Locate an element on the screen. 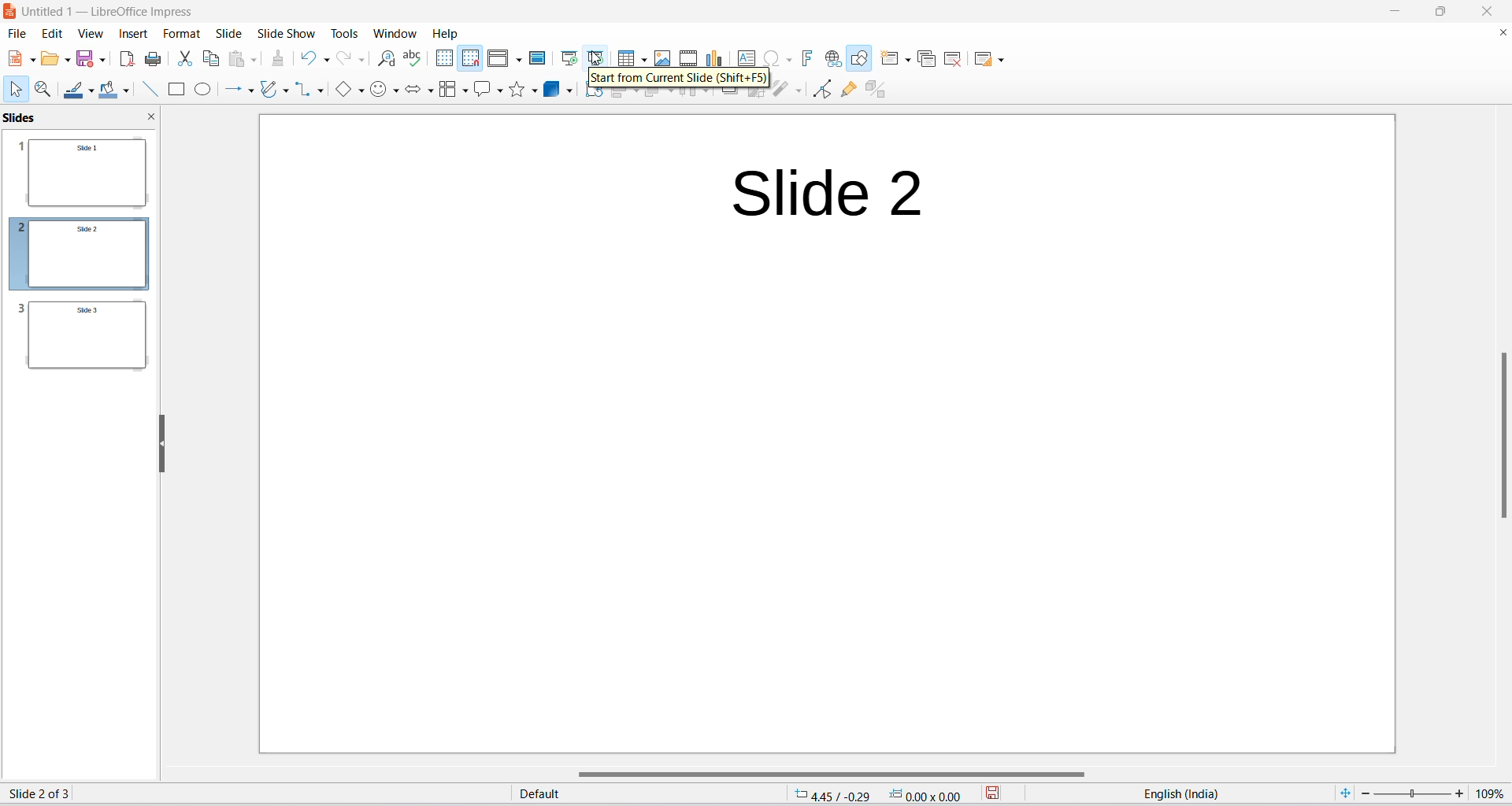 This screenshot has width=1512, height=806. flowchart options is located at coordinates (466, 91).